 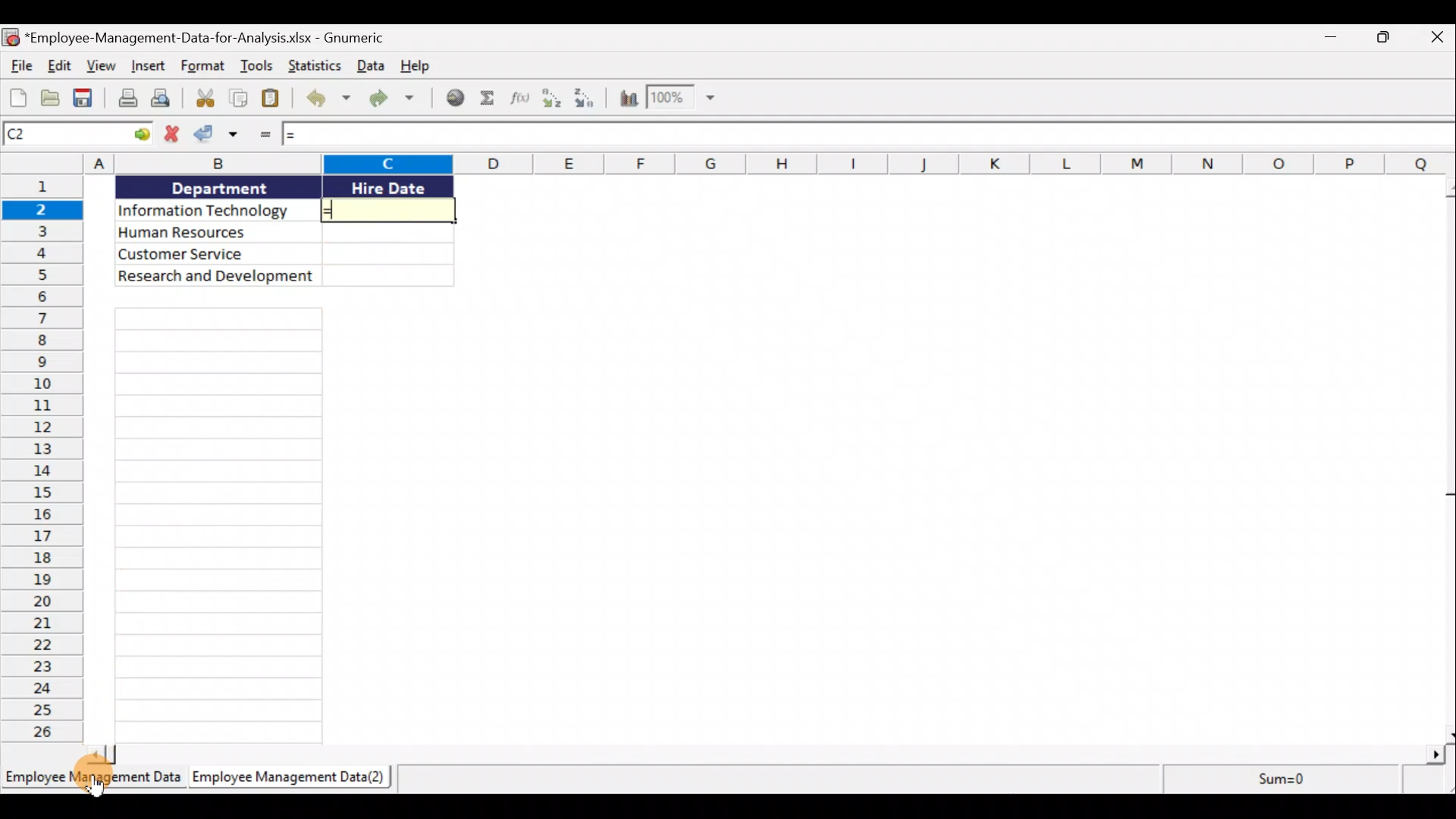 I want to click on Copy selection, so click(x=238, y=101).